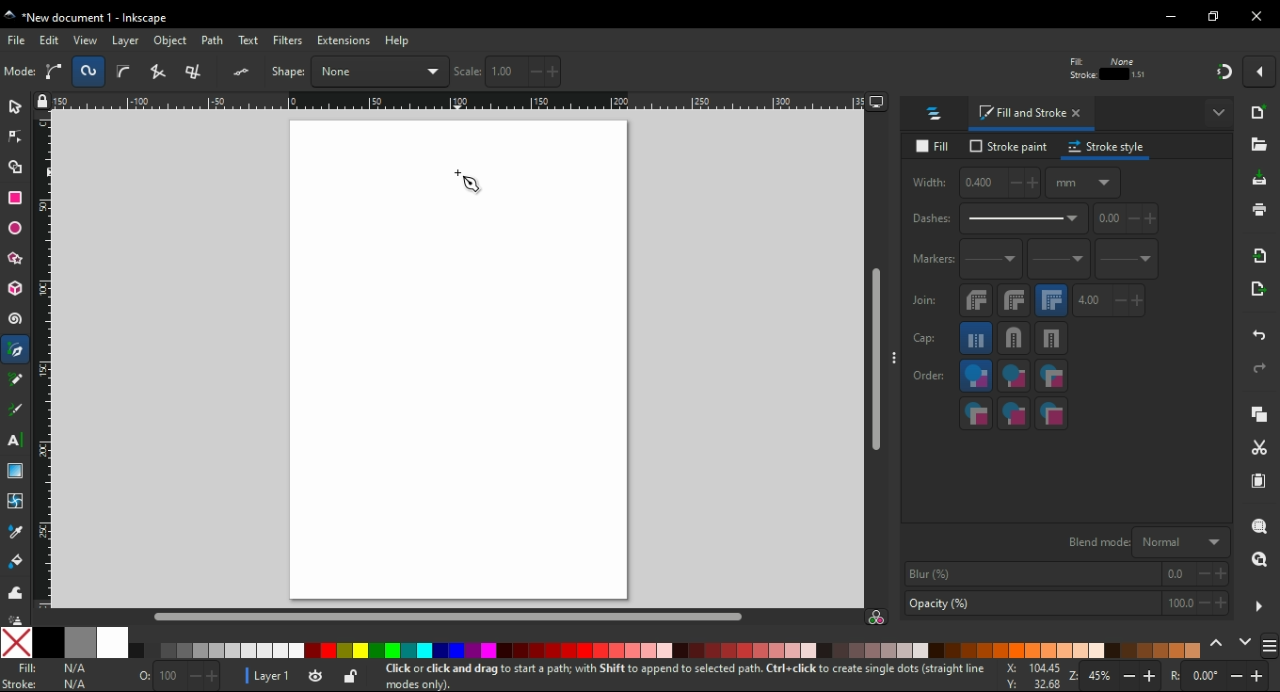 The height and width of the screenshot is (692, 1280). Describe the element at coordinates (1026, 677) in the screenshot. I see `X: -146.46 Y: 124.87` at that location.